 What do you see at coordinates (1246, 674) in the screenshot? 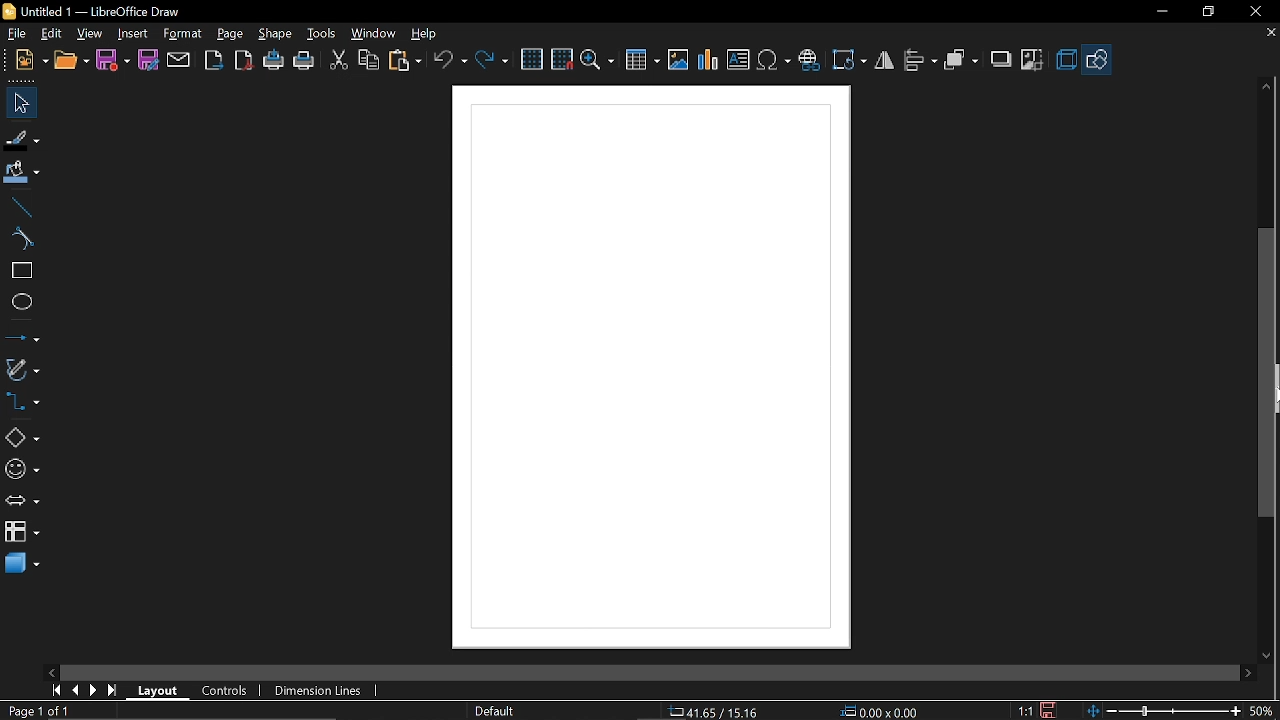
I see `Move right` at bounding box center [1246, 674].